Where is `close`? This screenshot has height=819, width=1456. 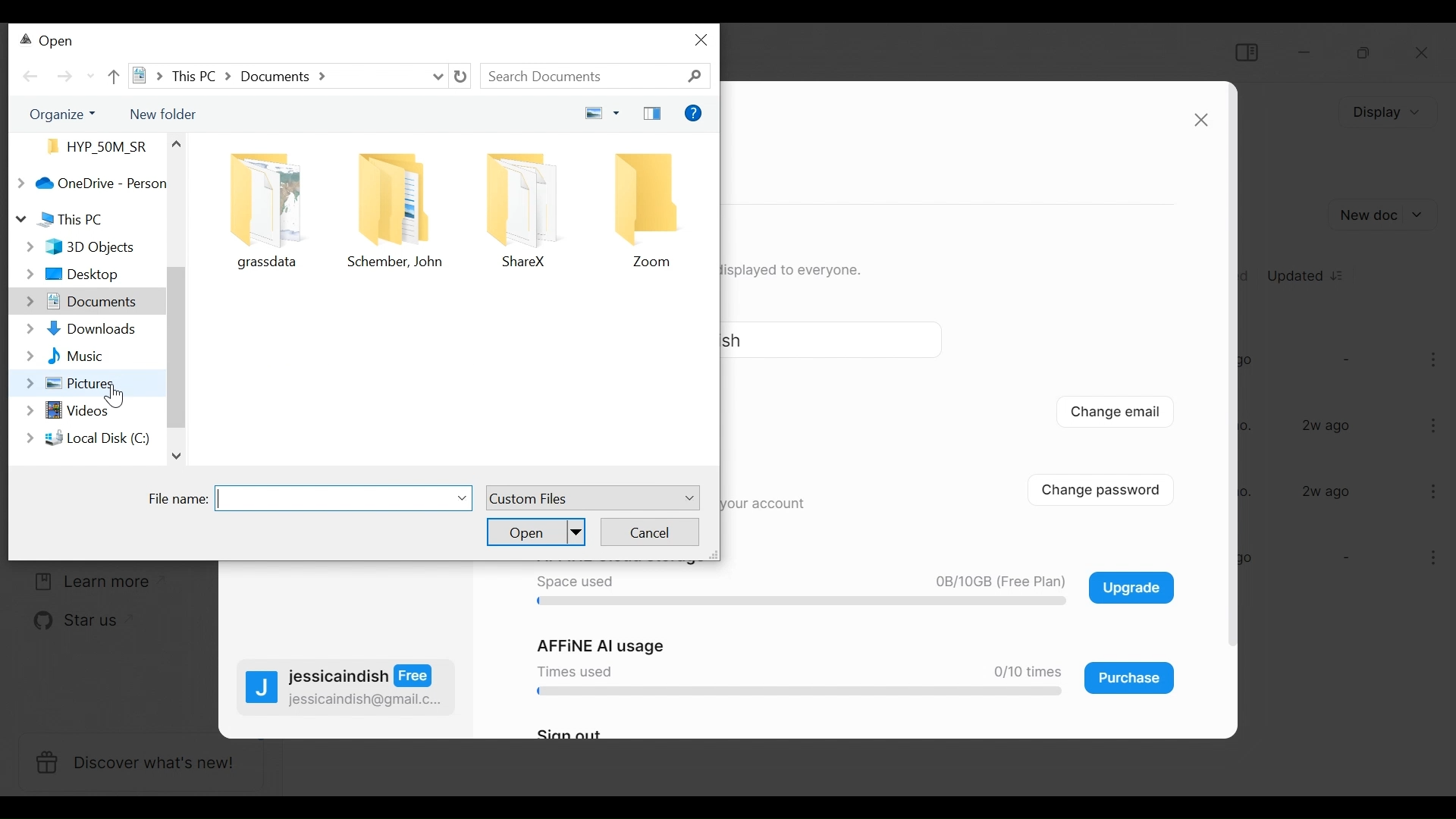
close is located at coordinates (703, 39).